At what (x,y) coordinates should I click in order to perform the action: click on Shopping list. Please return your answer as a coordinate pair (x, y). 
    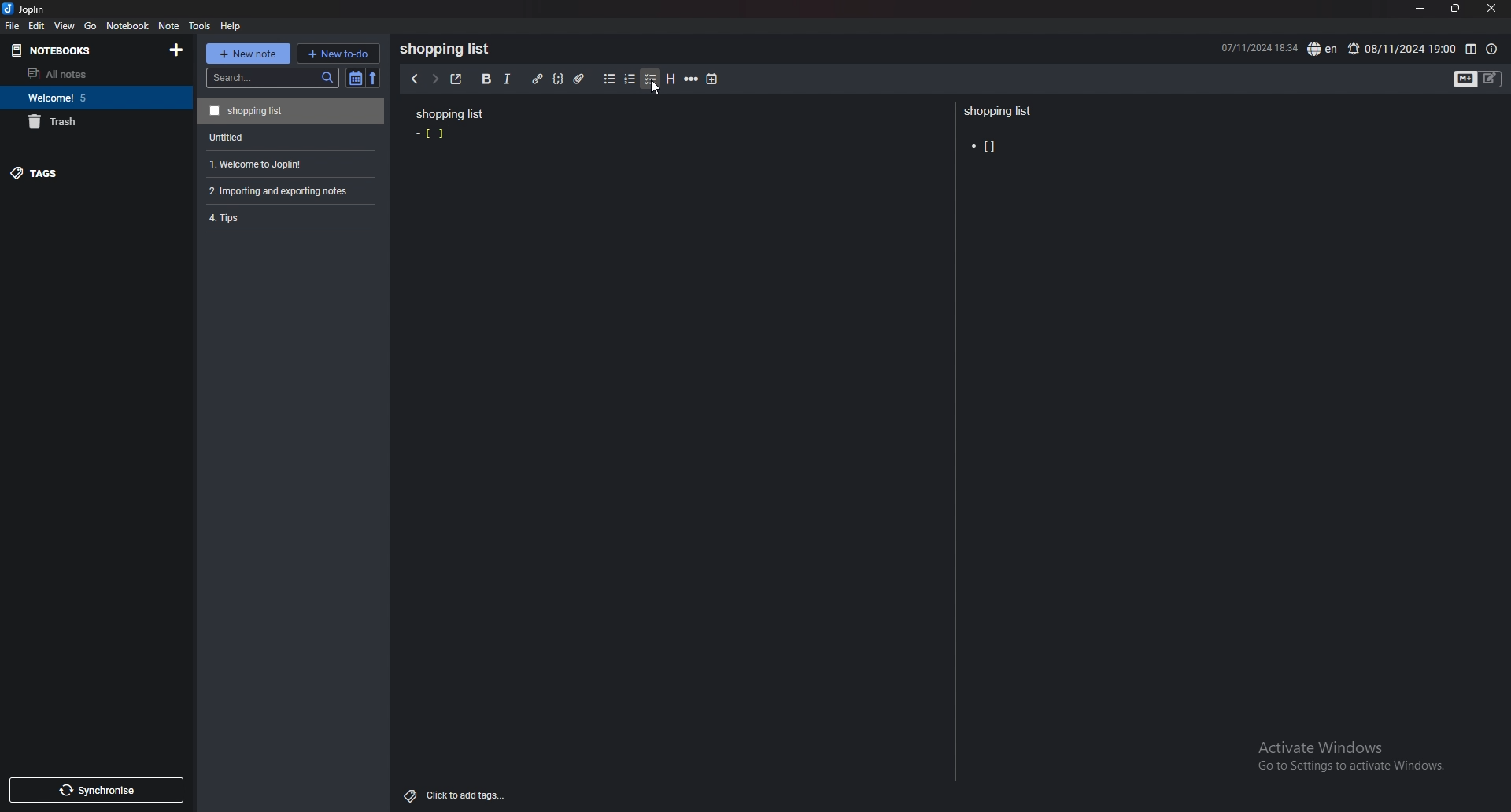
    Looking at the image, I should click on (290, 110).